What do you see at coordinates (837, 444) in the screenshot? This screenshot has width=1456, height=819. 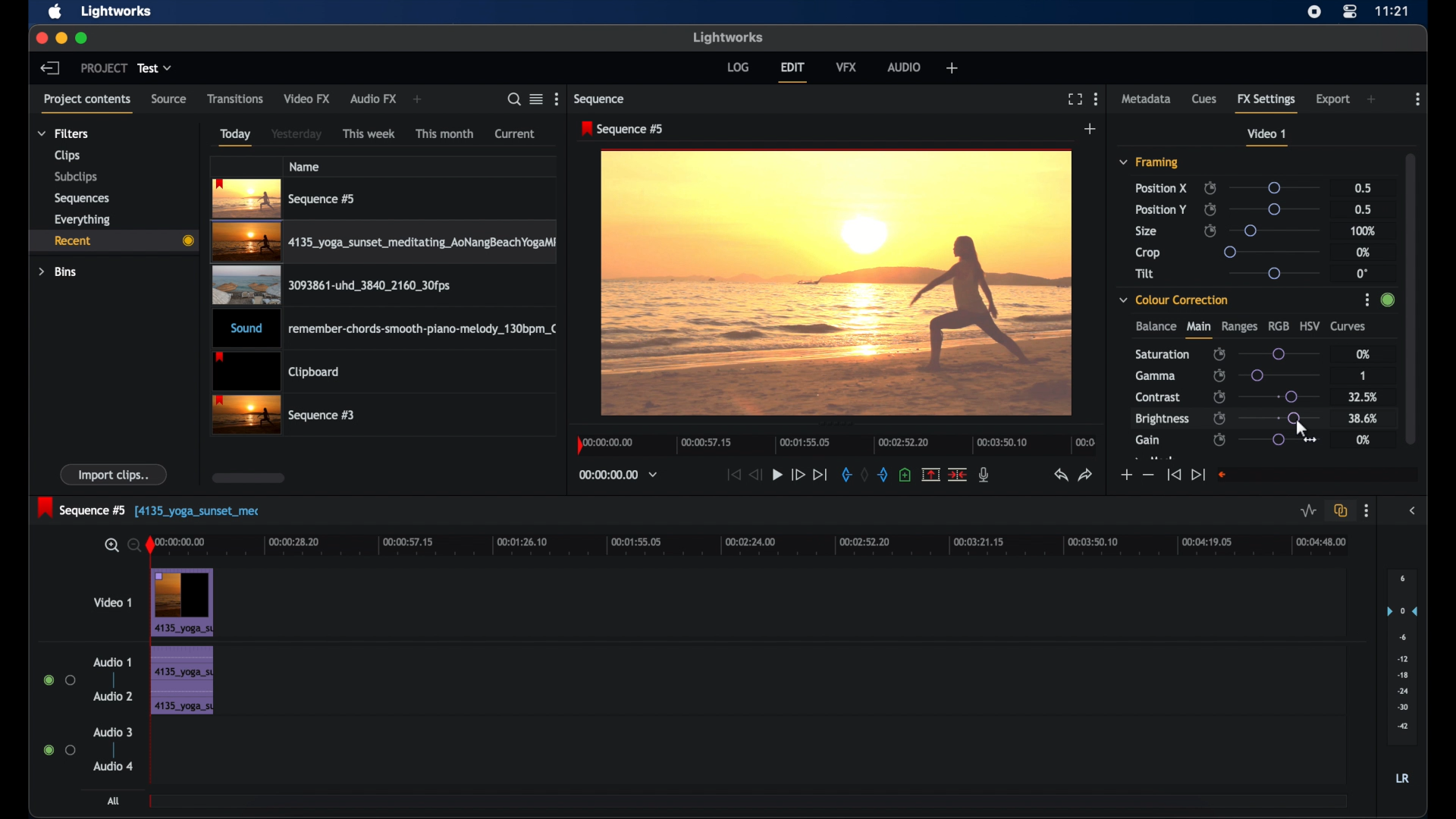 I see `timeline` at bounding box center [837, 444].